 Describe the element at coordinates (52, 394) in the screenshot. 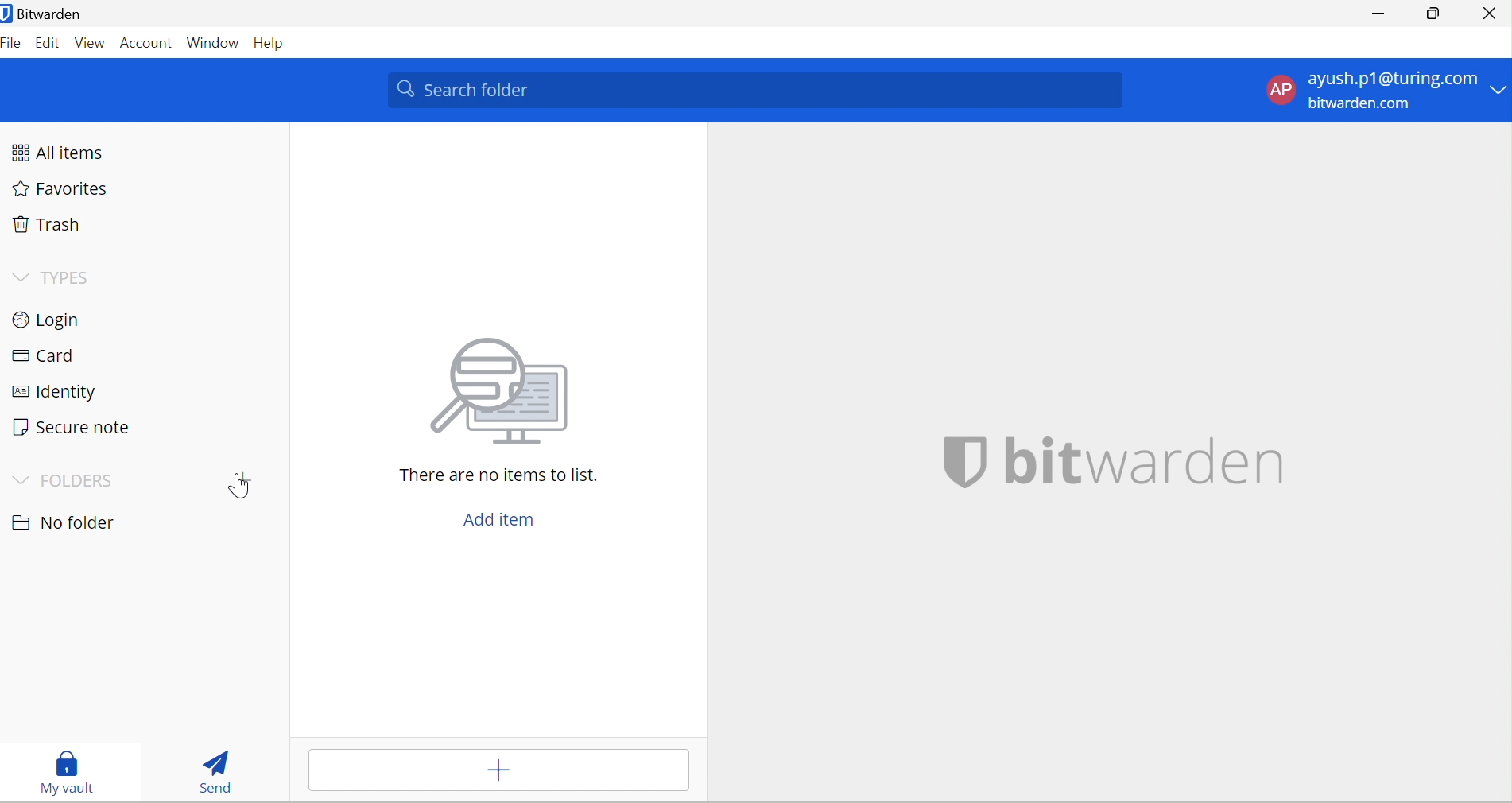

I see `Identity` at that location.